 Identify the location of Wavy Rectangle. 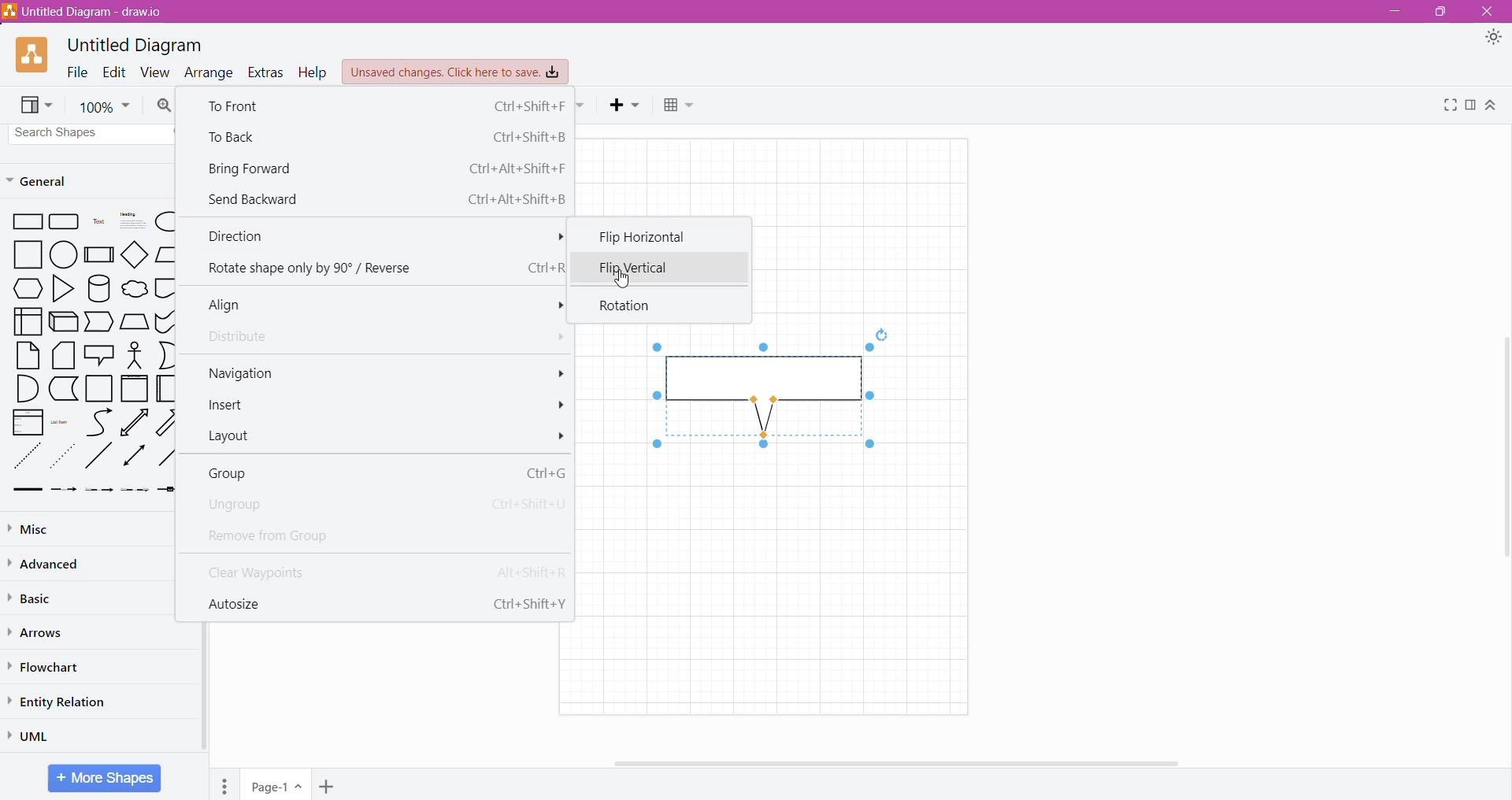
(165, 321).